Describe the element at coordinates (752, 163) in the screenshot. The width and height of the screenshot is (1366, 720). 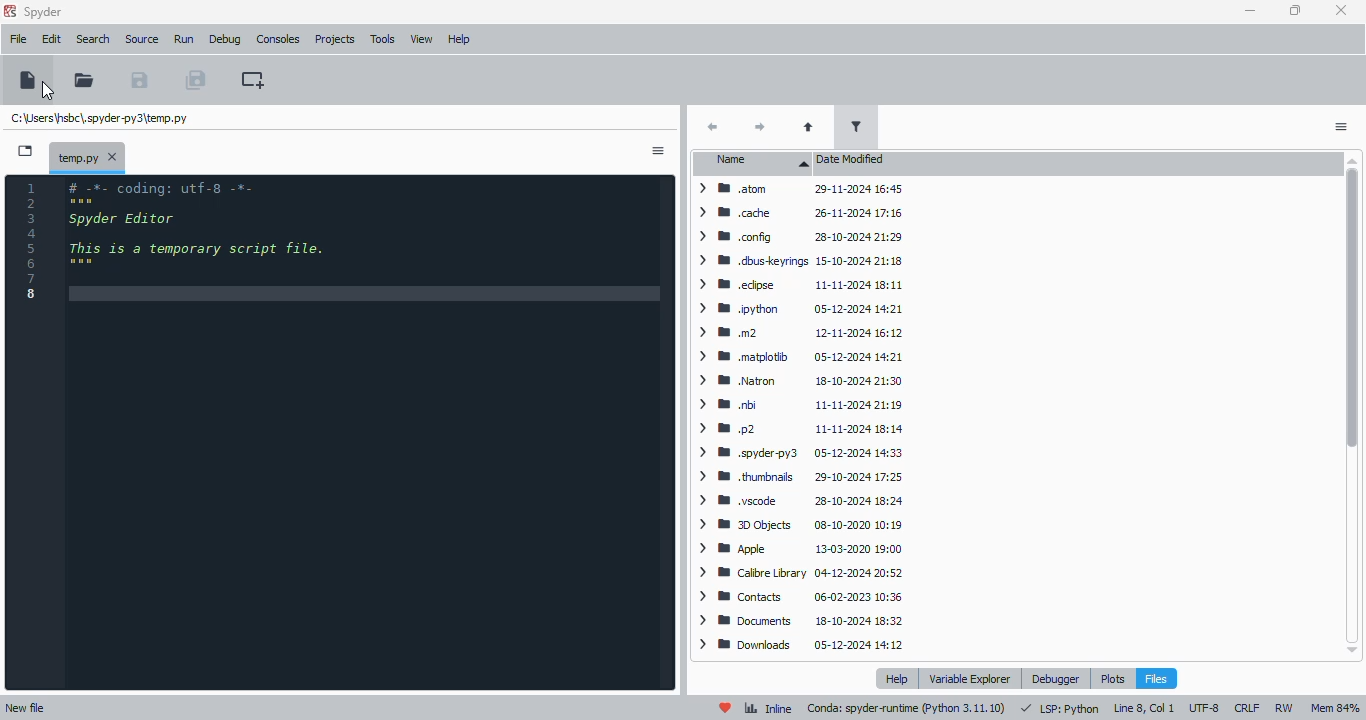
I see `name` at that location.